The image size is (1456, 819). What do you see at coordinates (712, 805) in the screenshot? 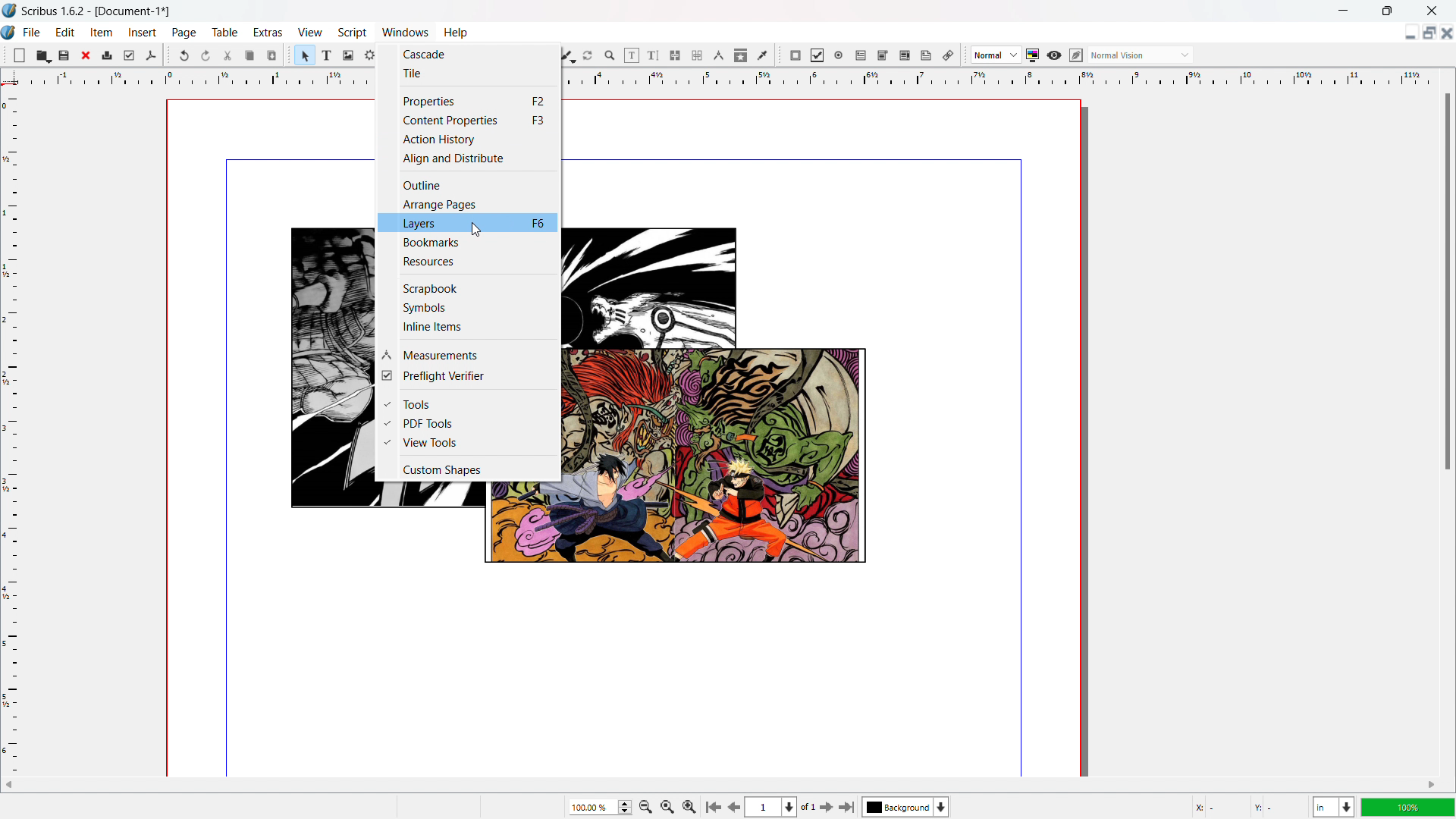
I see `go to first page` at bounding box center [712, 805].